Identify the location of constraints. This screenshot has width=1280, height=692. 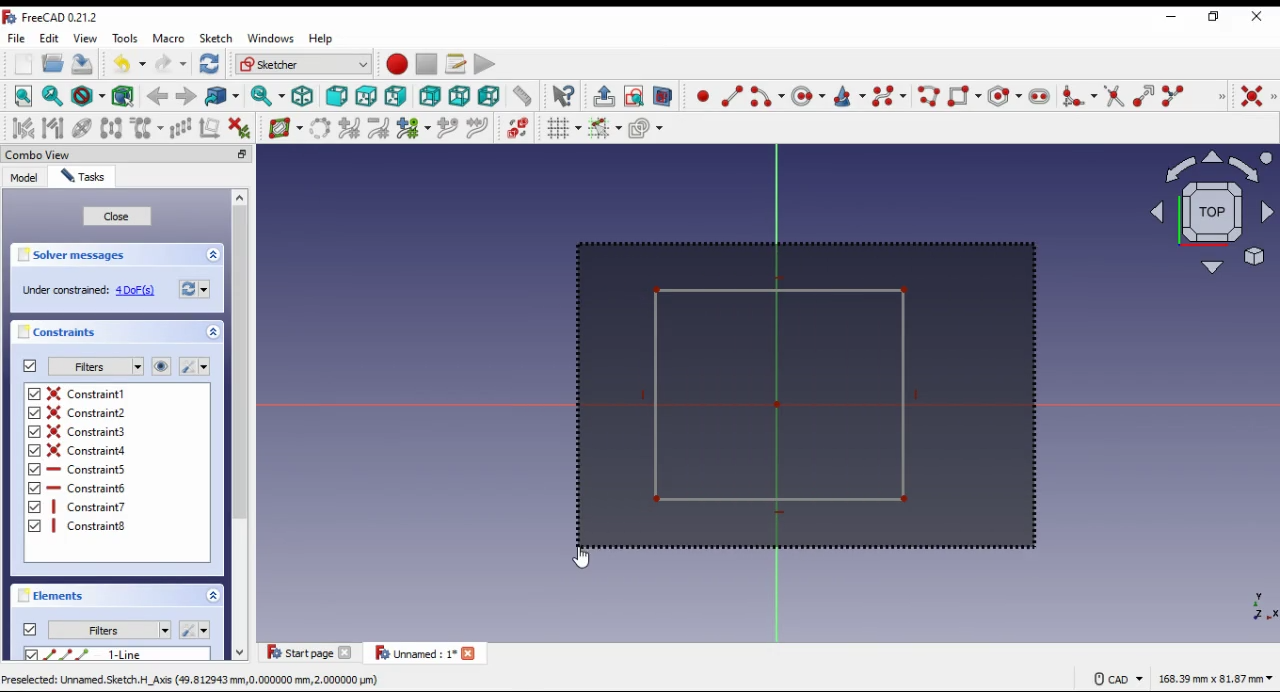
(62, 333).